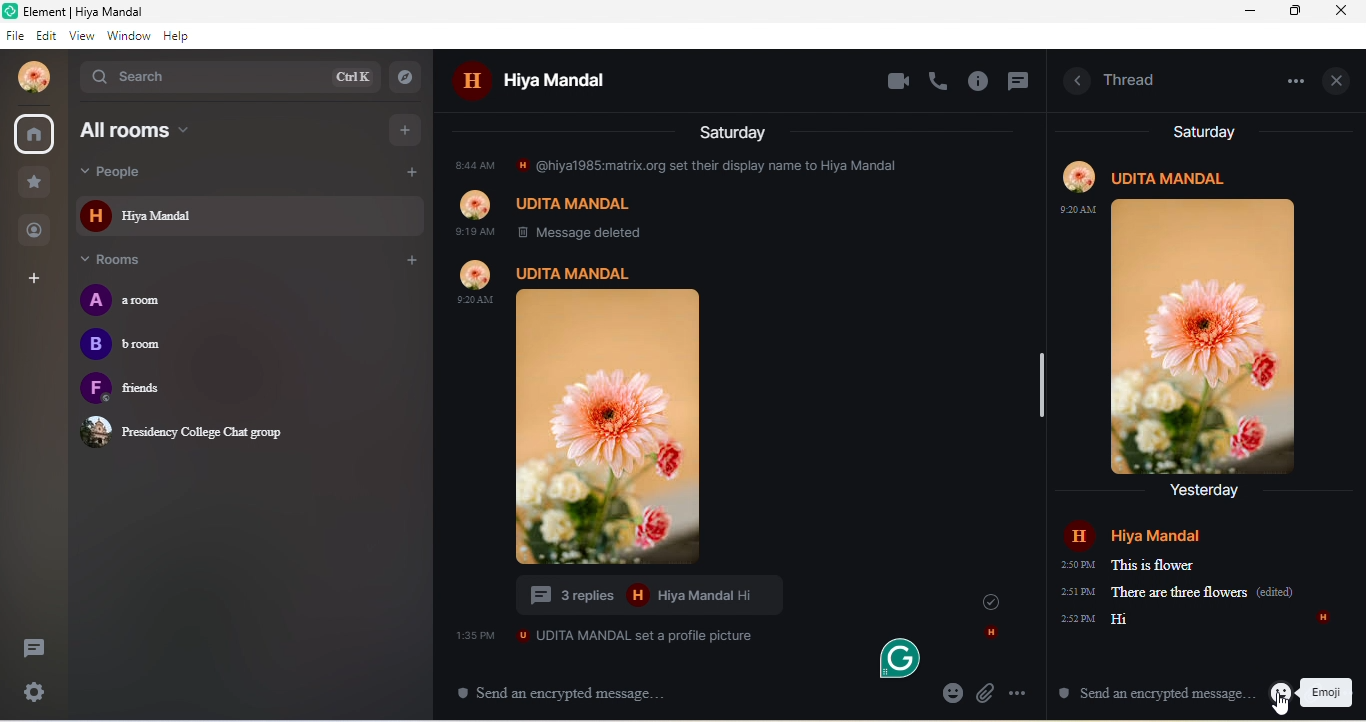 This screenshot has width=1366, height=722. I want to click on threads, so click(34, 648).